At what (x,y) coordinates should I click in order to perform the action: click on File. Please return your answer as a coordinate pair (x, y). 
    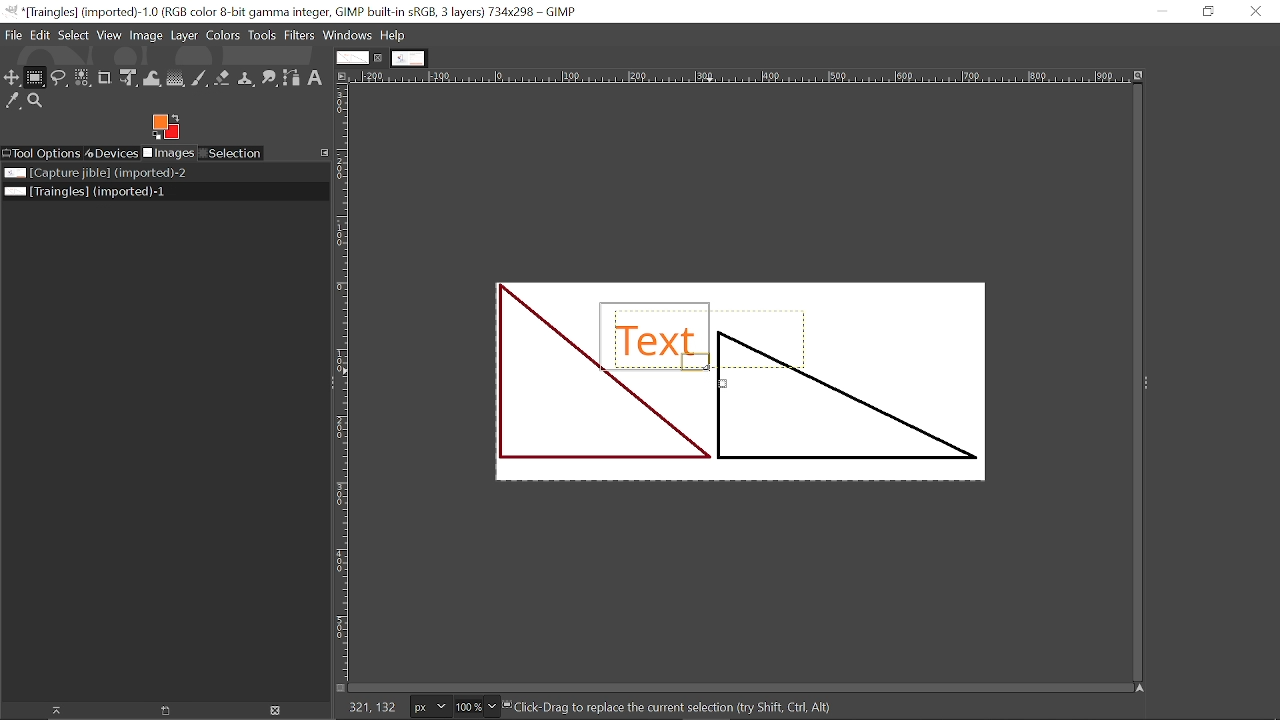
    Looking at the image, I should click on (13, 35).